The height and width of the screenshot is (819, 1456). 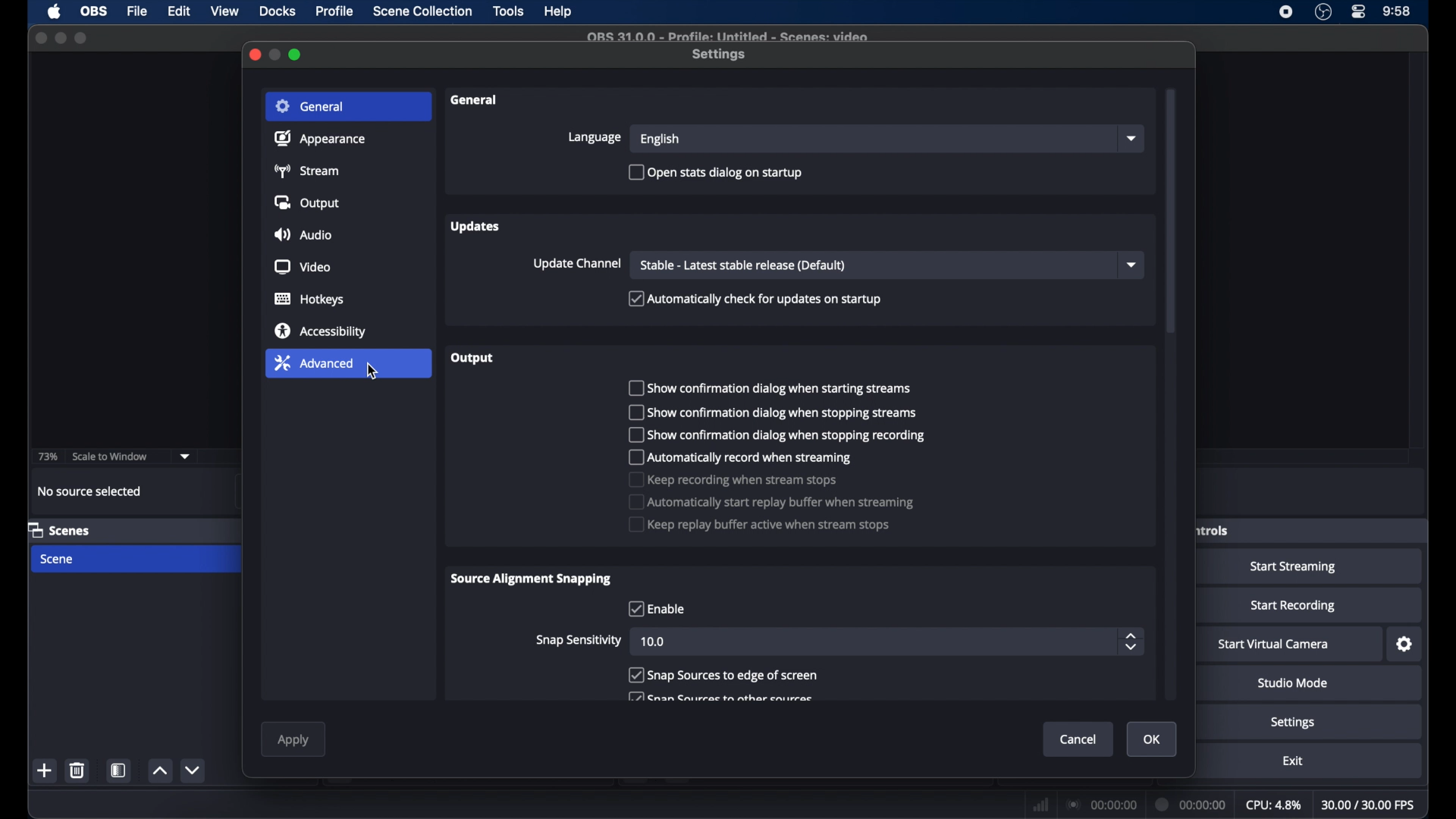 What do you see at coordinates (278, 11) in the screenshot?
I see `docks` at bounding box center [278, 11].